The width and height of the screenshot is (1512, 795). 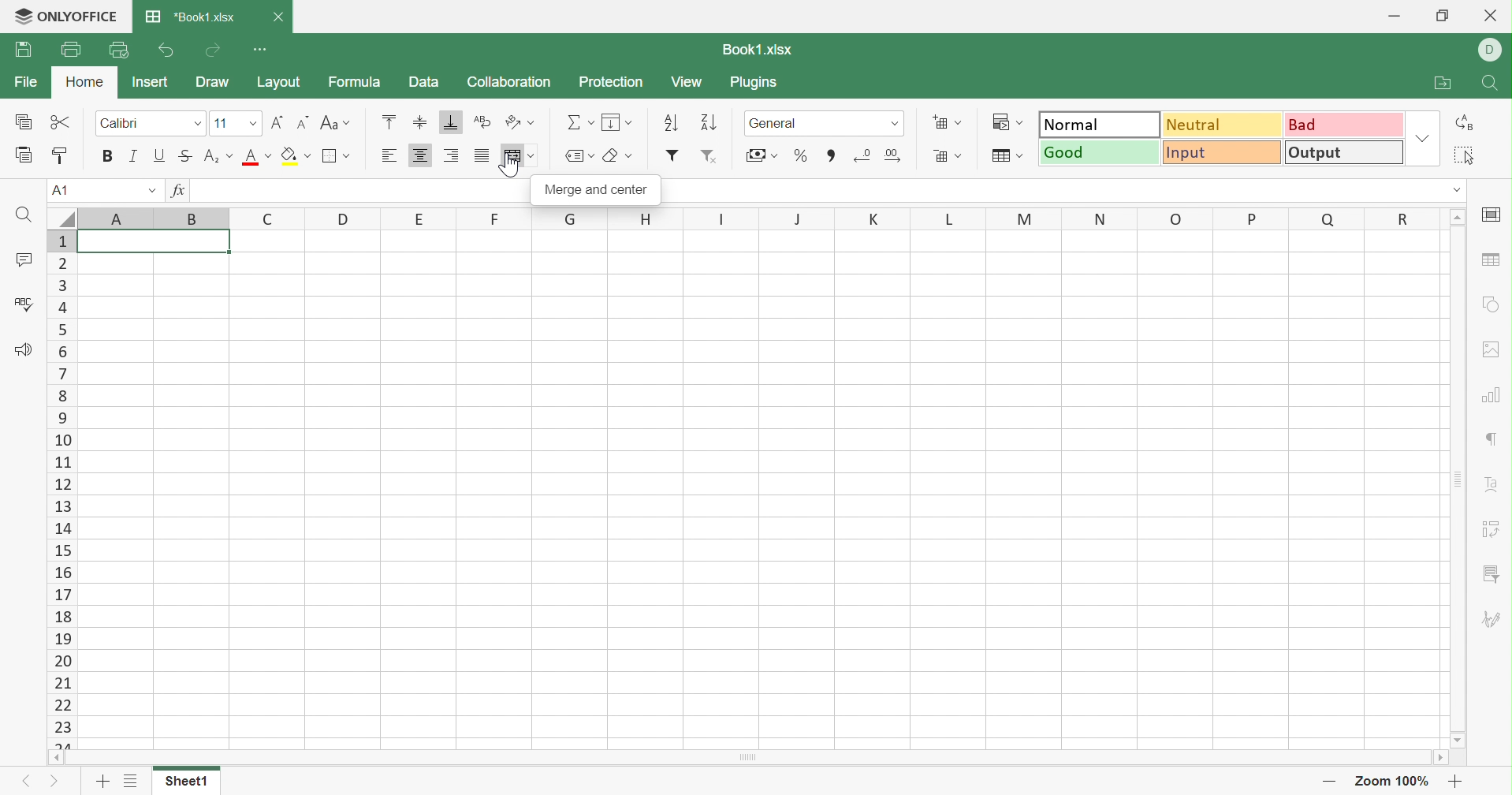 I want to click on Row Numbers, so click(x=61, y=489).